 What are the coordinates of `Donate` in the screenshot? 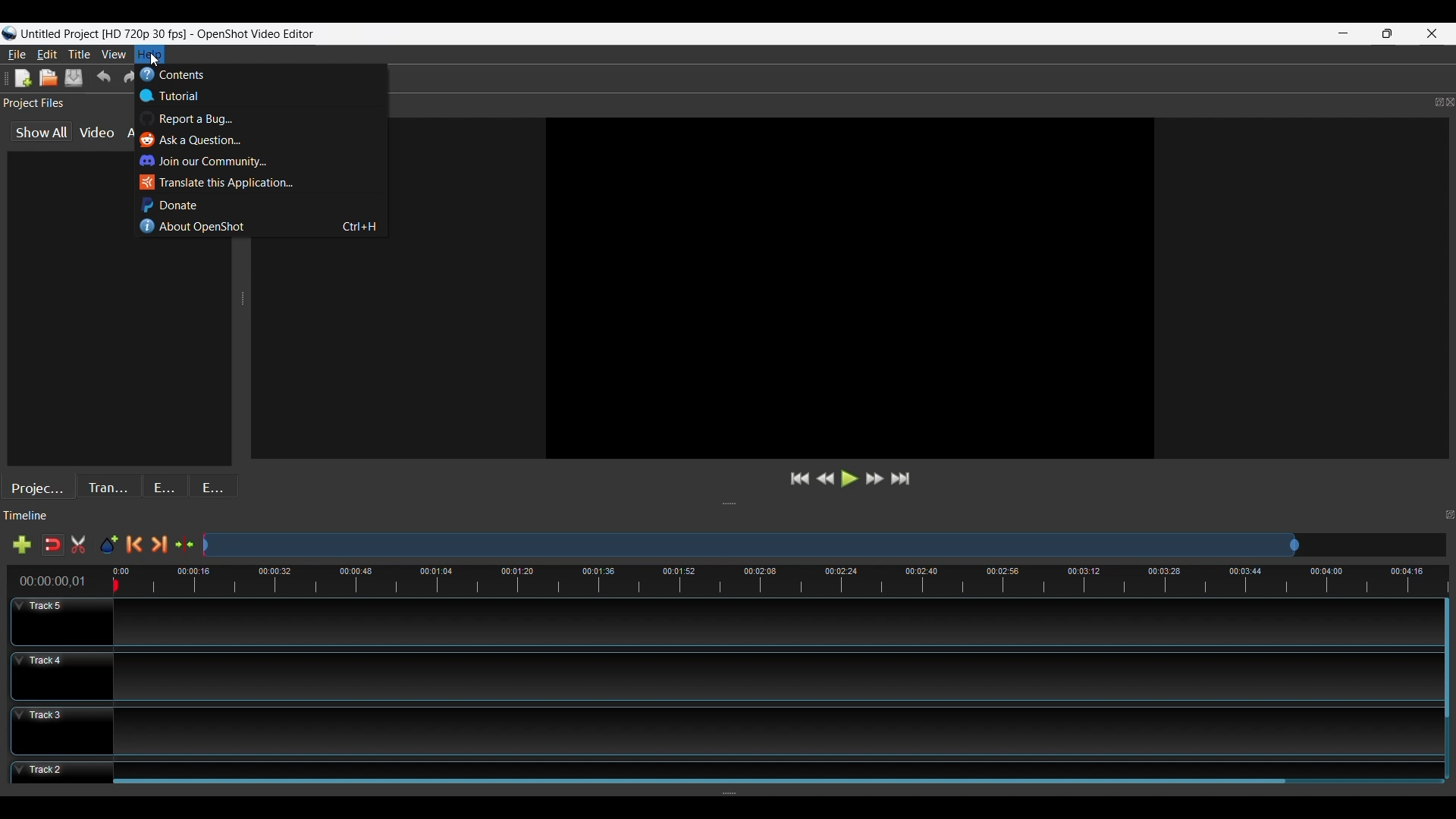 It's located at (171, 204).